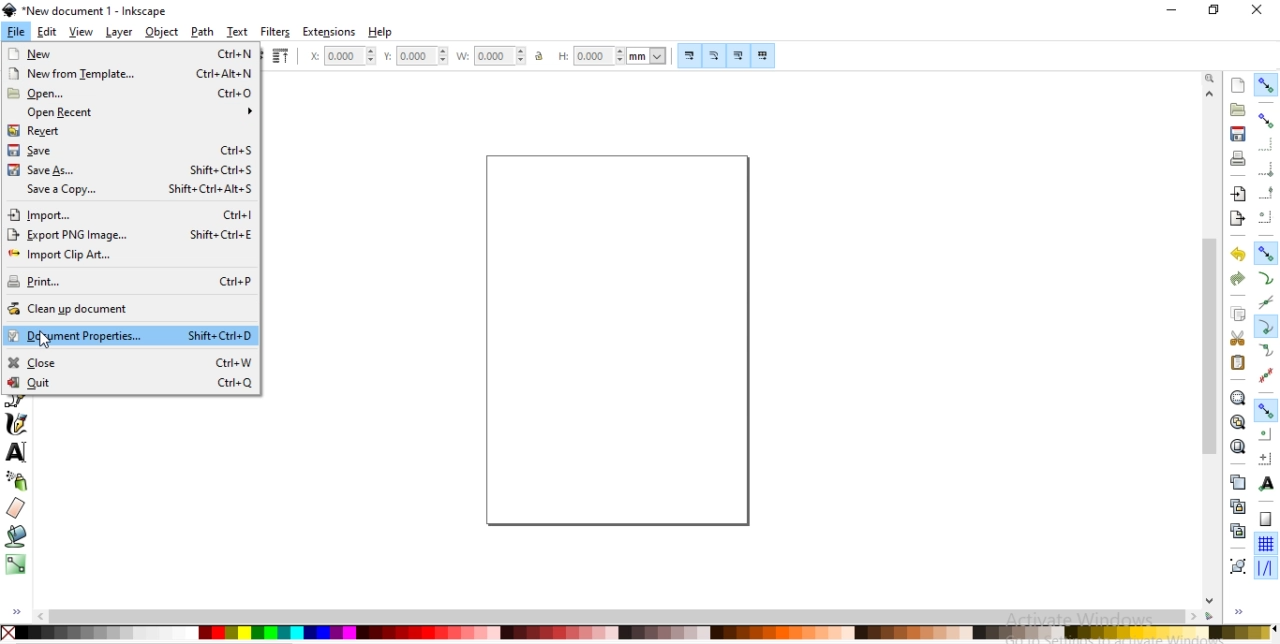  Describe the element at coordinates (1264, 375) in the screenshot. I see `snap midpoints of line segments` at that location.